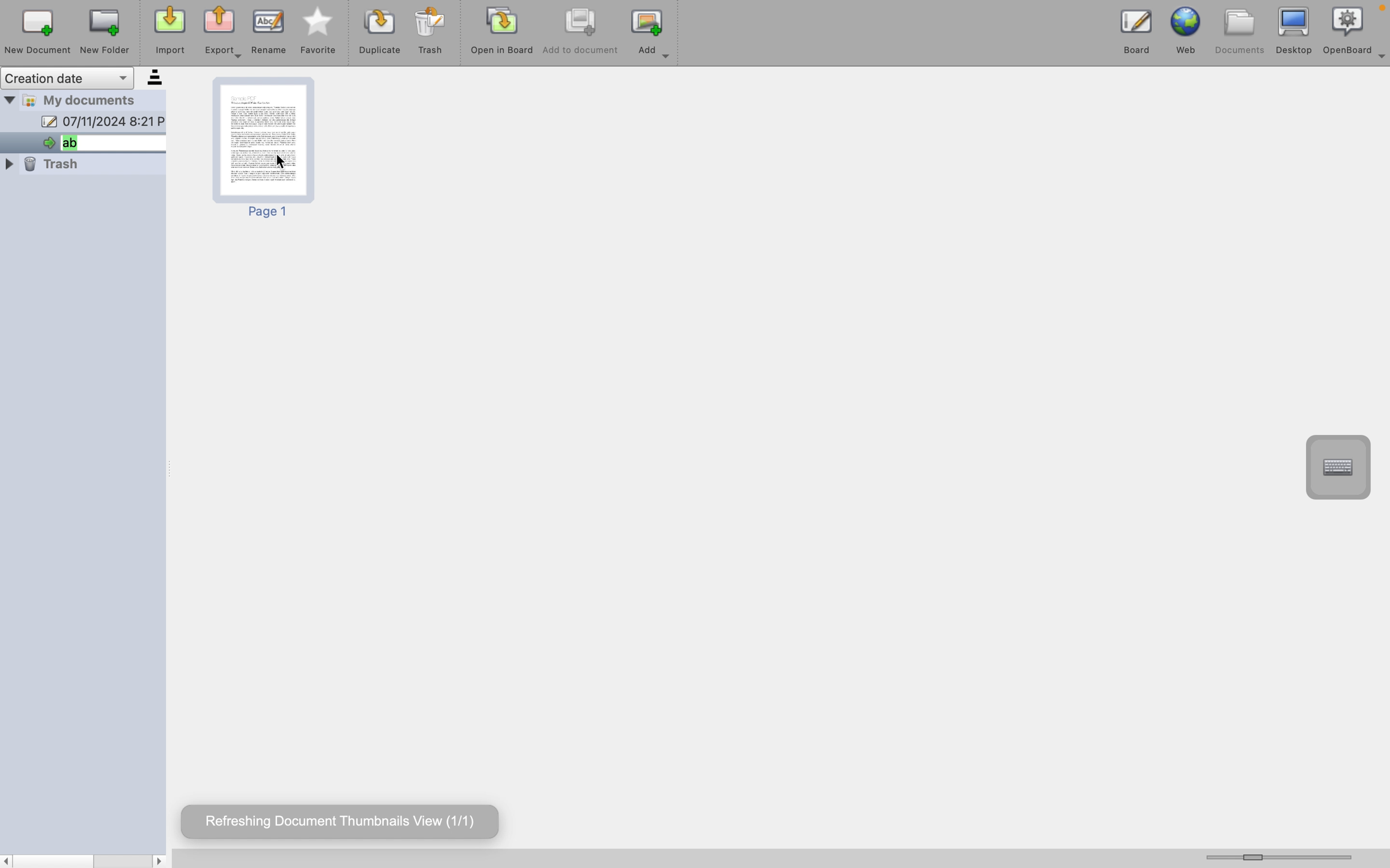 The image size is (1390, 868). I want to click on my documents, so click(87, 111).